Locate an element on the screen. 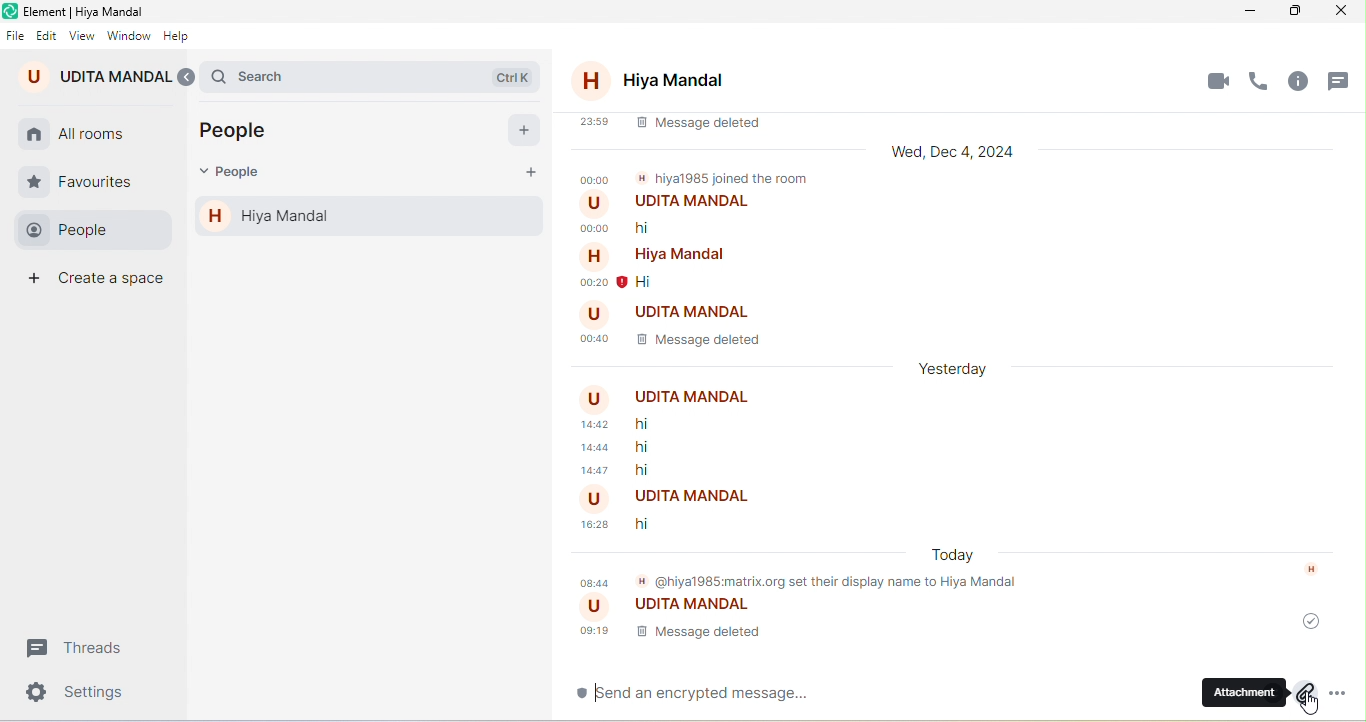  User profile picture is located at coordinates (596, 255).